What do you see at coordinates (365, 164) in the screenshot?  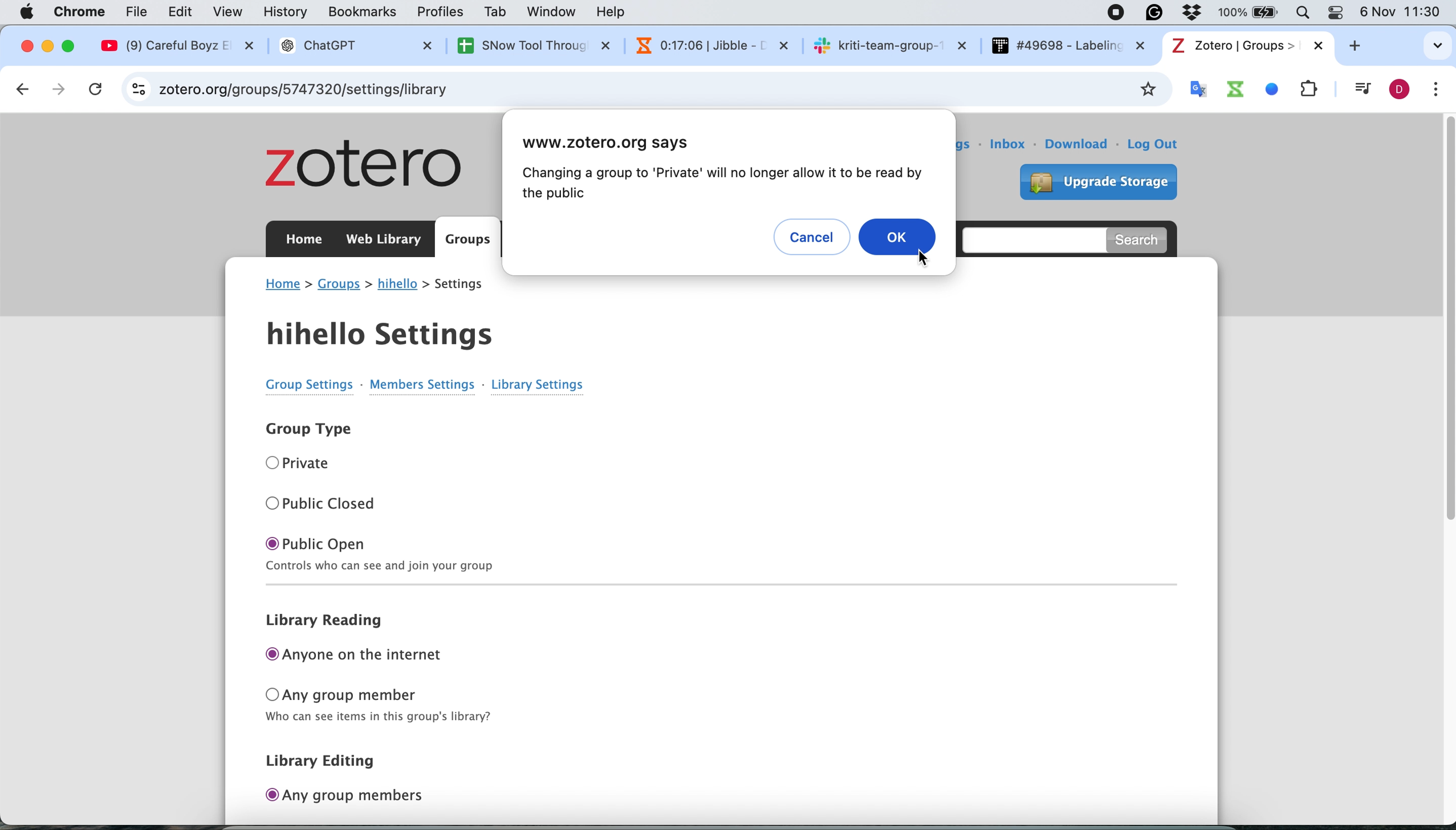 I see `zotero` at bounding box center [365, 164].